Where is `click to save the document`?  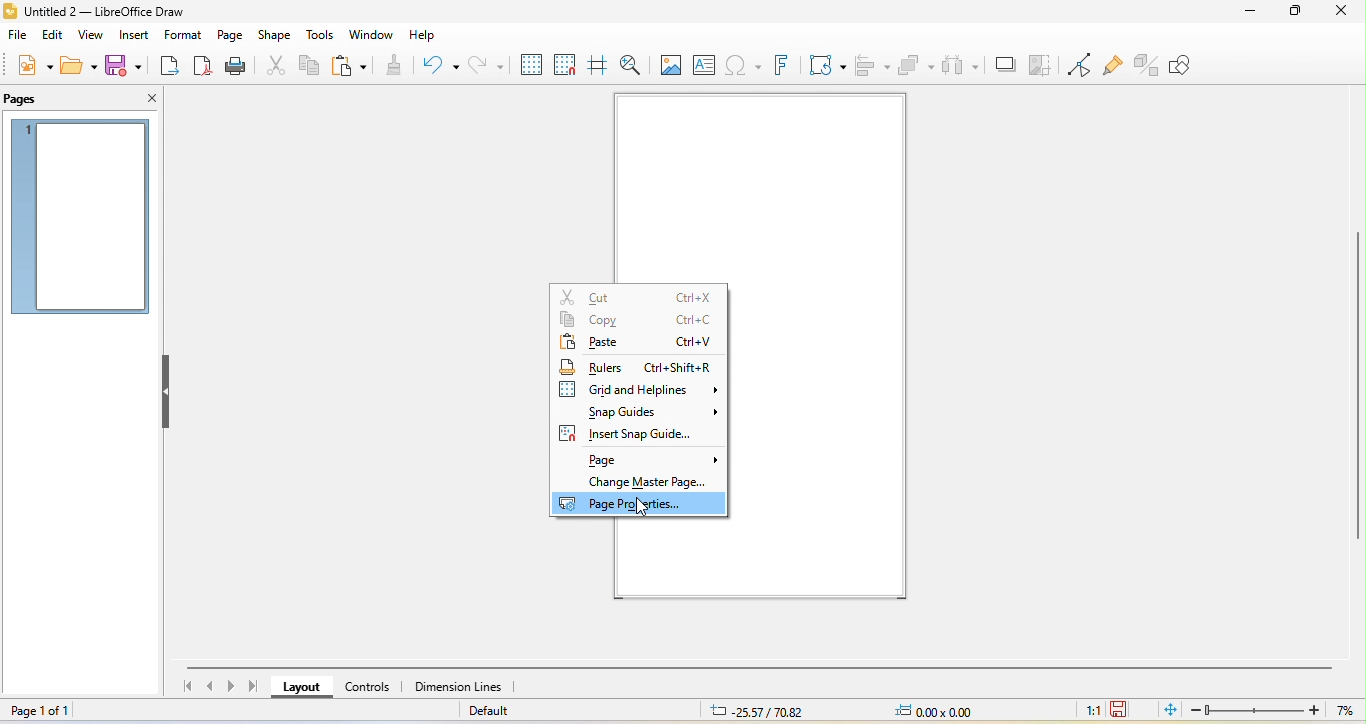
click to save the document is located at coordinates (1120, 708).